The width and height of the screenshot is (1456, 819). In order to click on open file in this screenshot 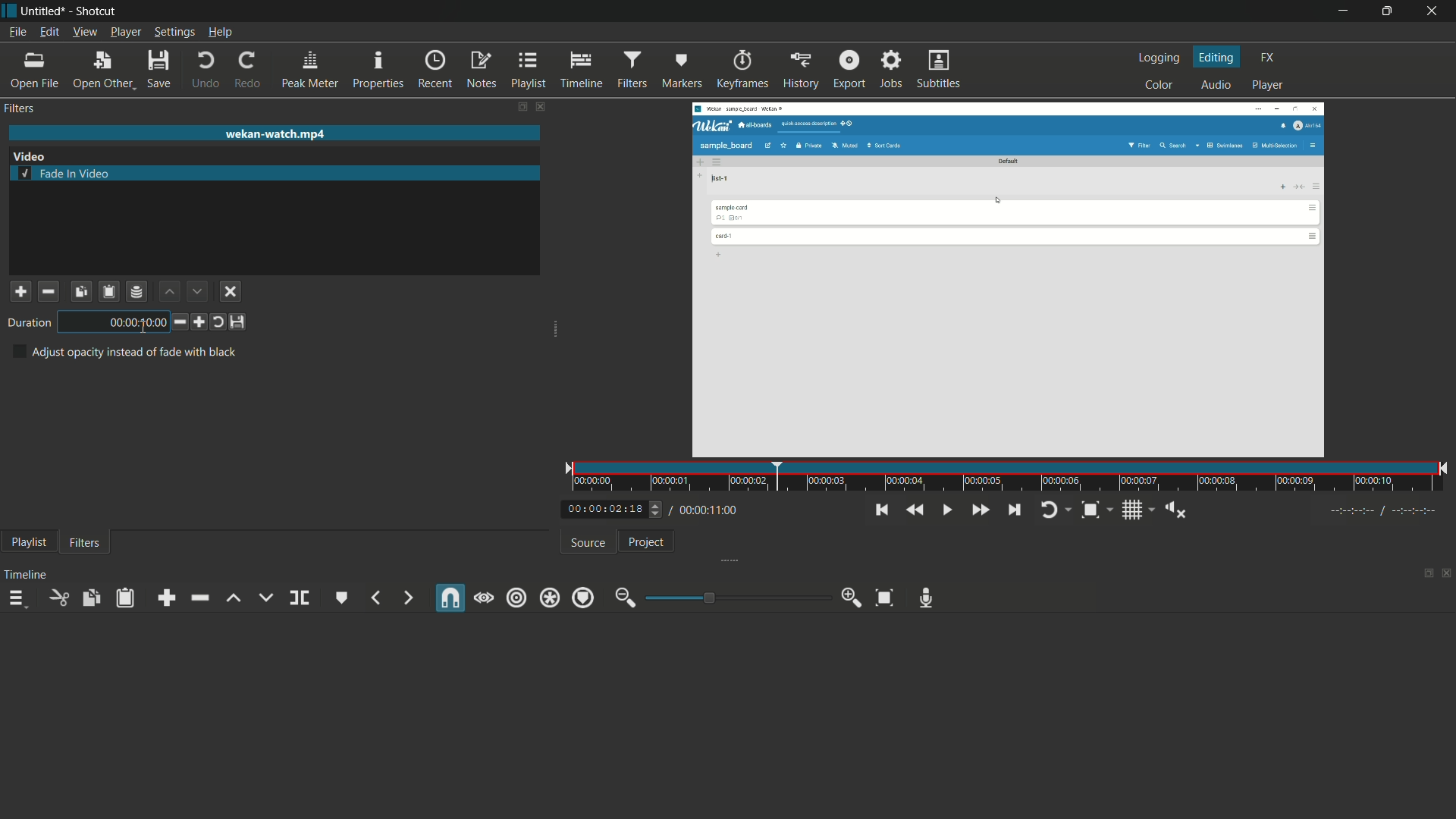, I will do `click(33, 71)`.